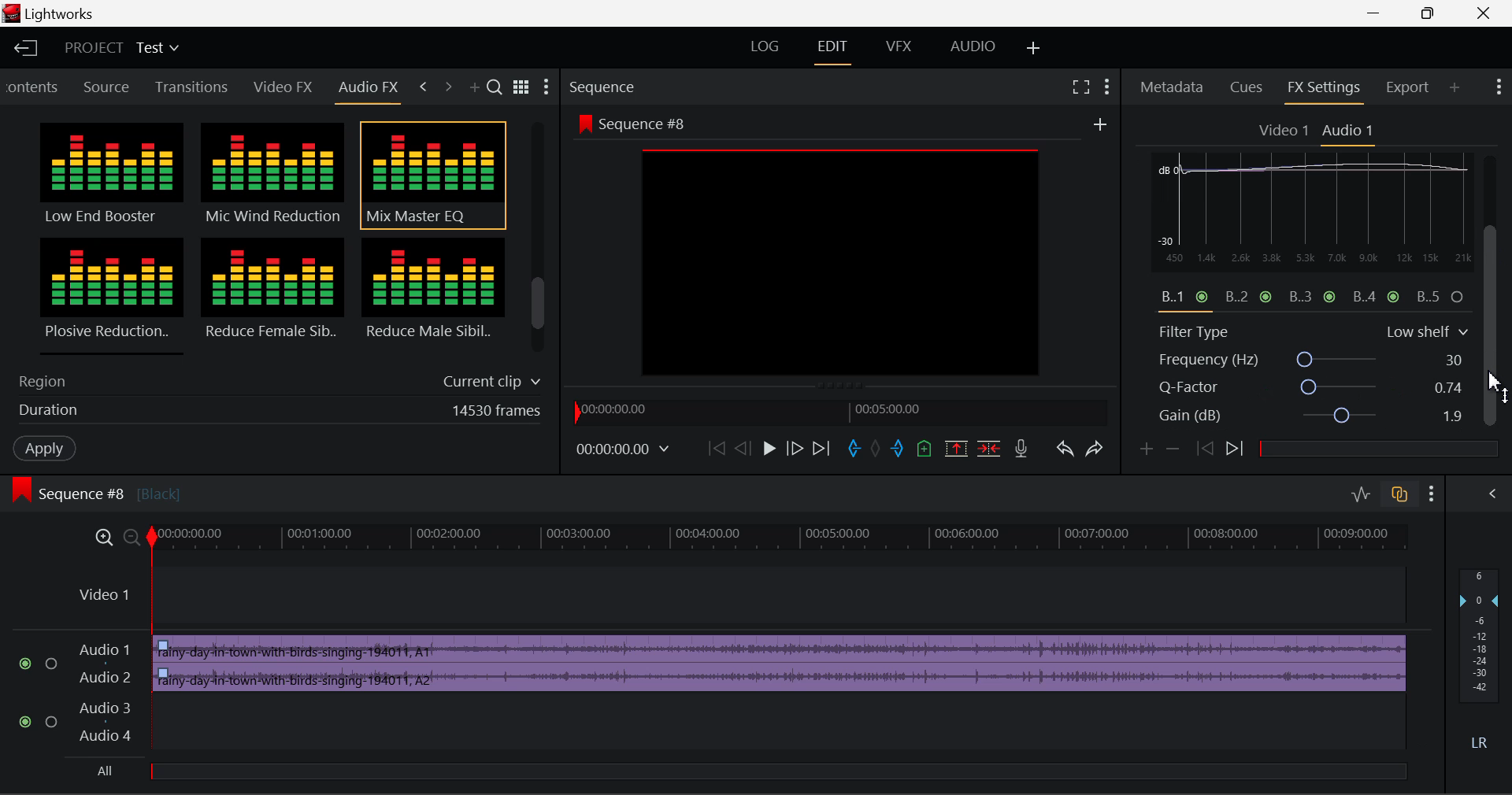  What do you see at coordinates (424, 84) in the screenshot?
I see `Previous Tab` at bounding box center [424, 84].